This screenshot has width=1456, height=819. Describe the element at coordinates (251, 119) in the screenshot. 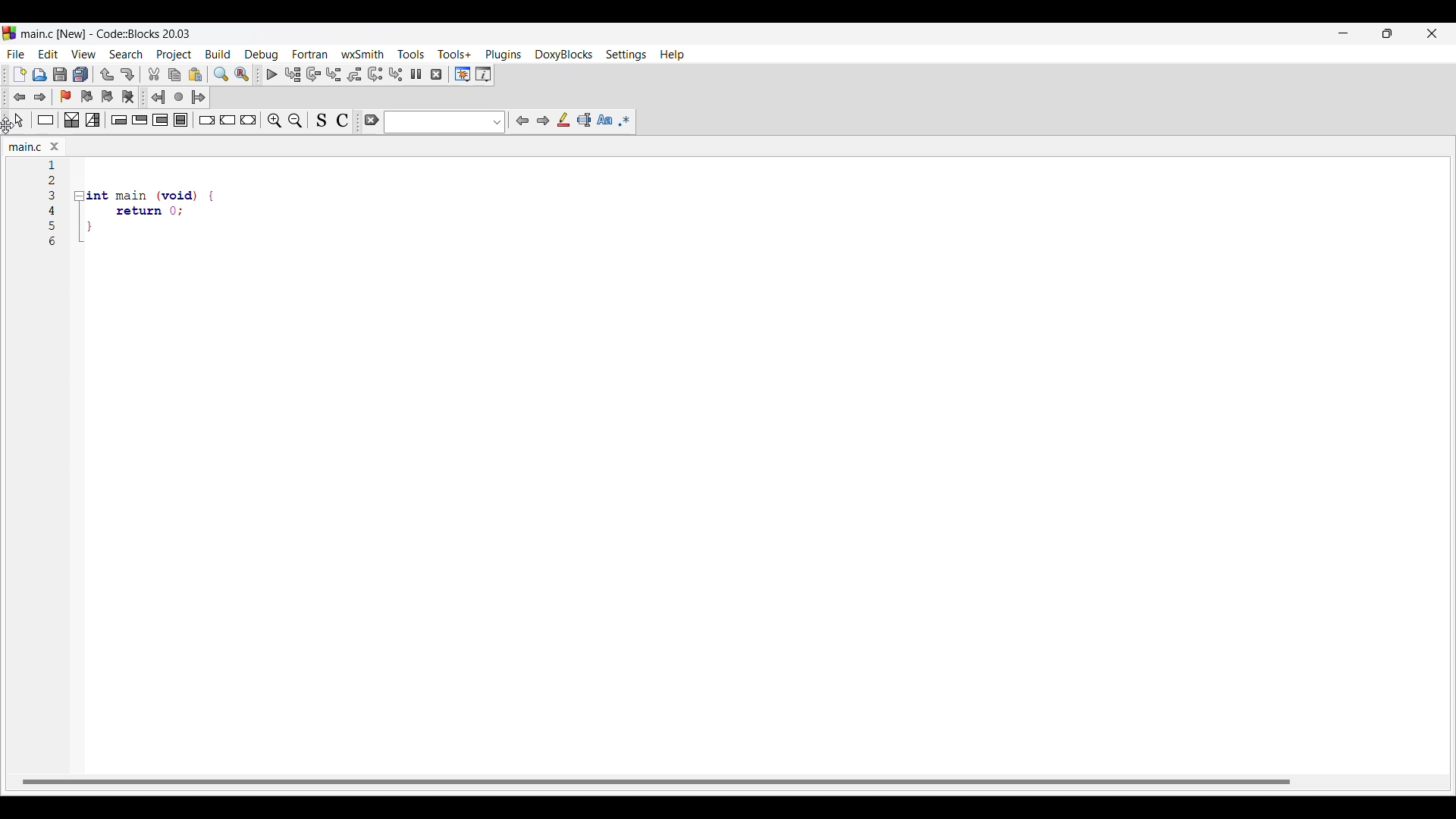

I see `Return instruction` at that location.